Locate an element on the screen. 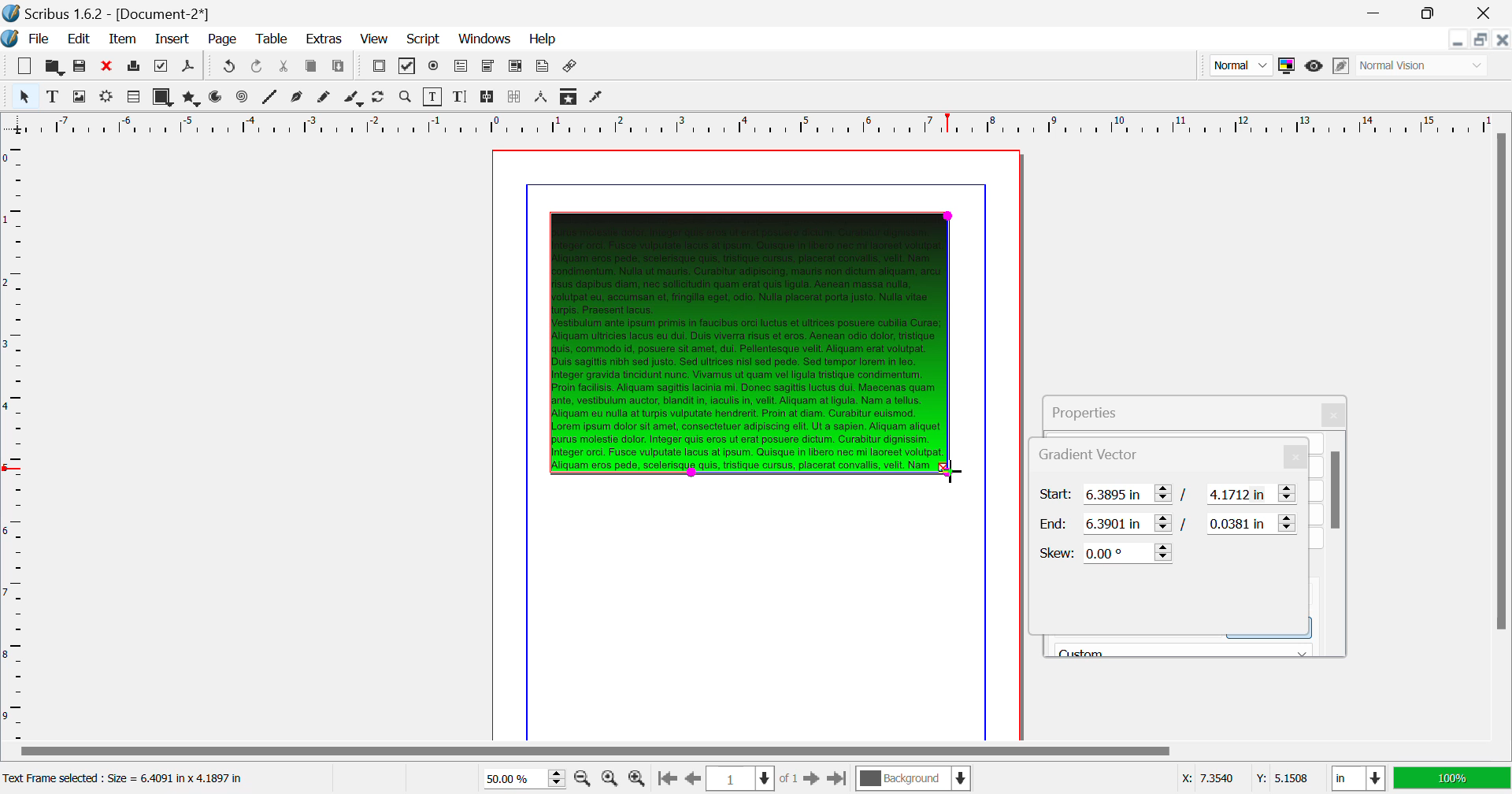  Toggle Color Management is located at coordinates (1286, 65).